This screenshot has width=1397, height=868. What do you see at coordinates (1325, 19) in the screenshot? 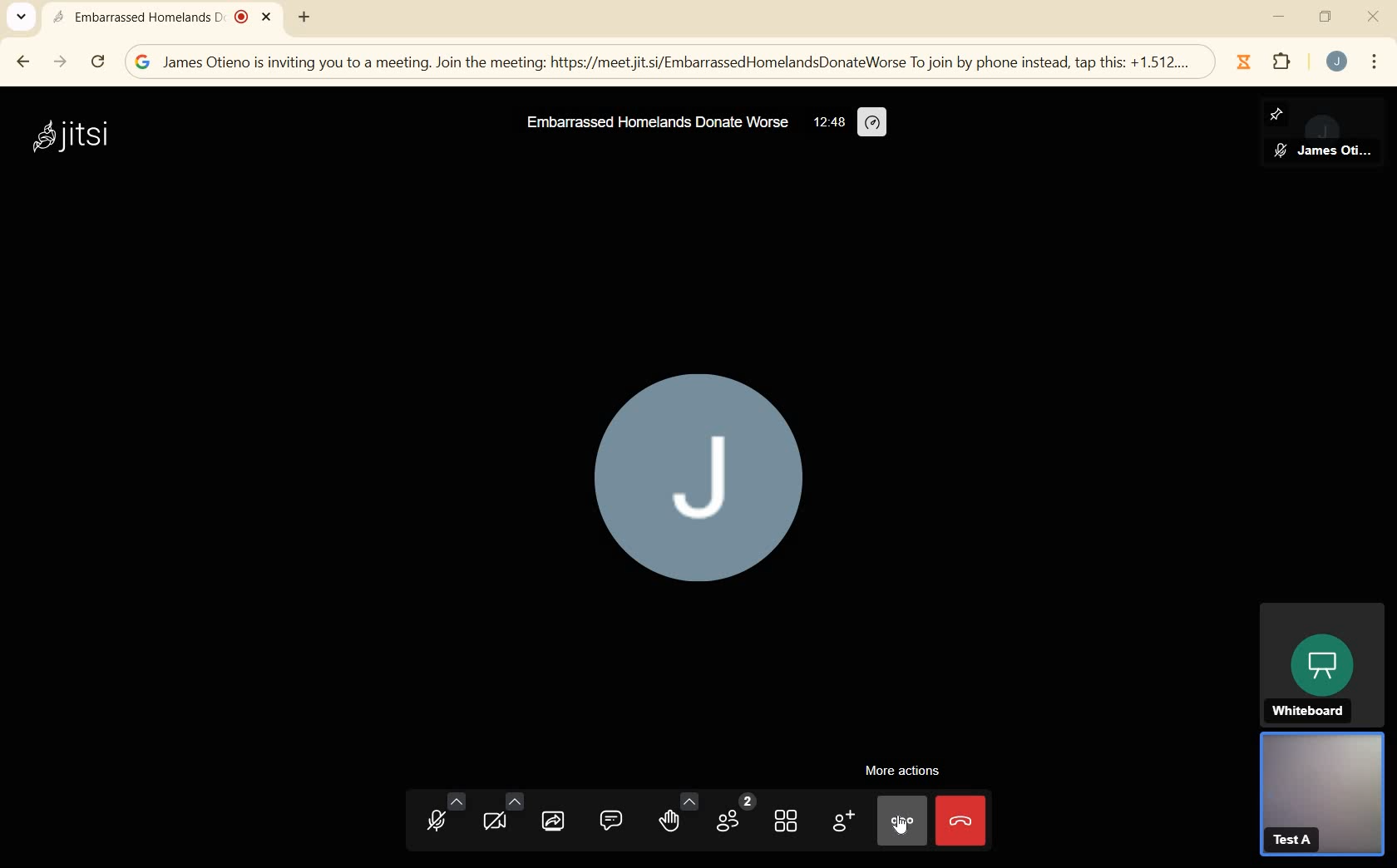
I see `restore down` at bounding box center [1325, 19].